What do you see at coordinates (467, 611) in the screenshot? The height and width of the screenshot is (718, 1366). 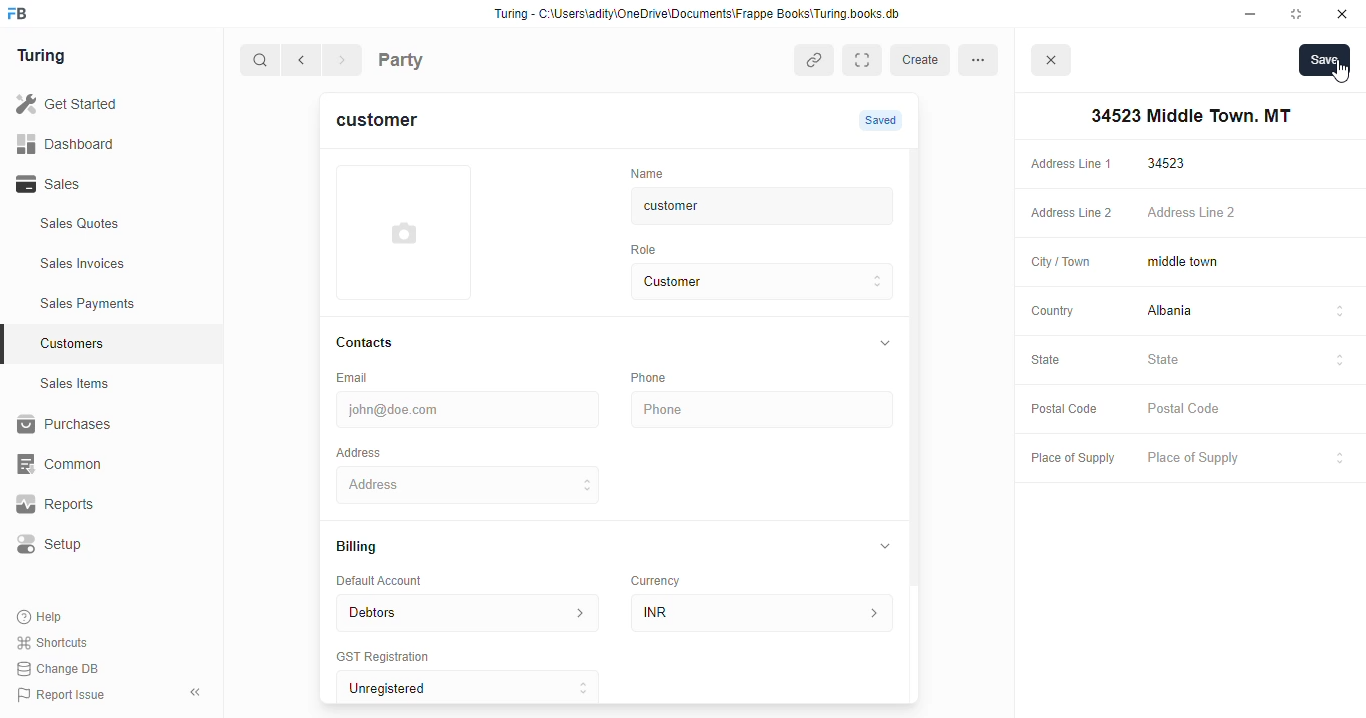 I see `Debtors` at bounding box center [467, 611].